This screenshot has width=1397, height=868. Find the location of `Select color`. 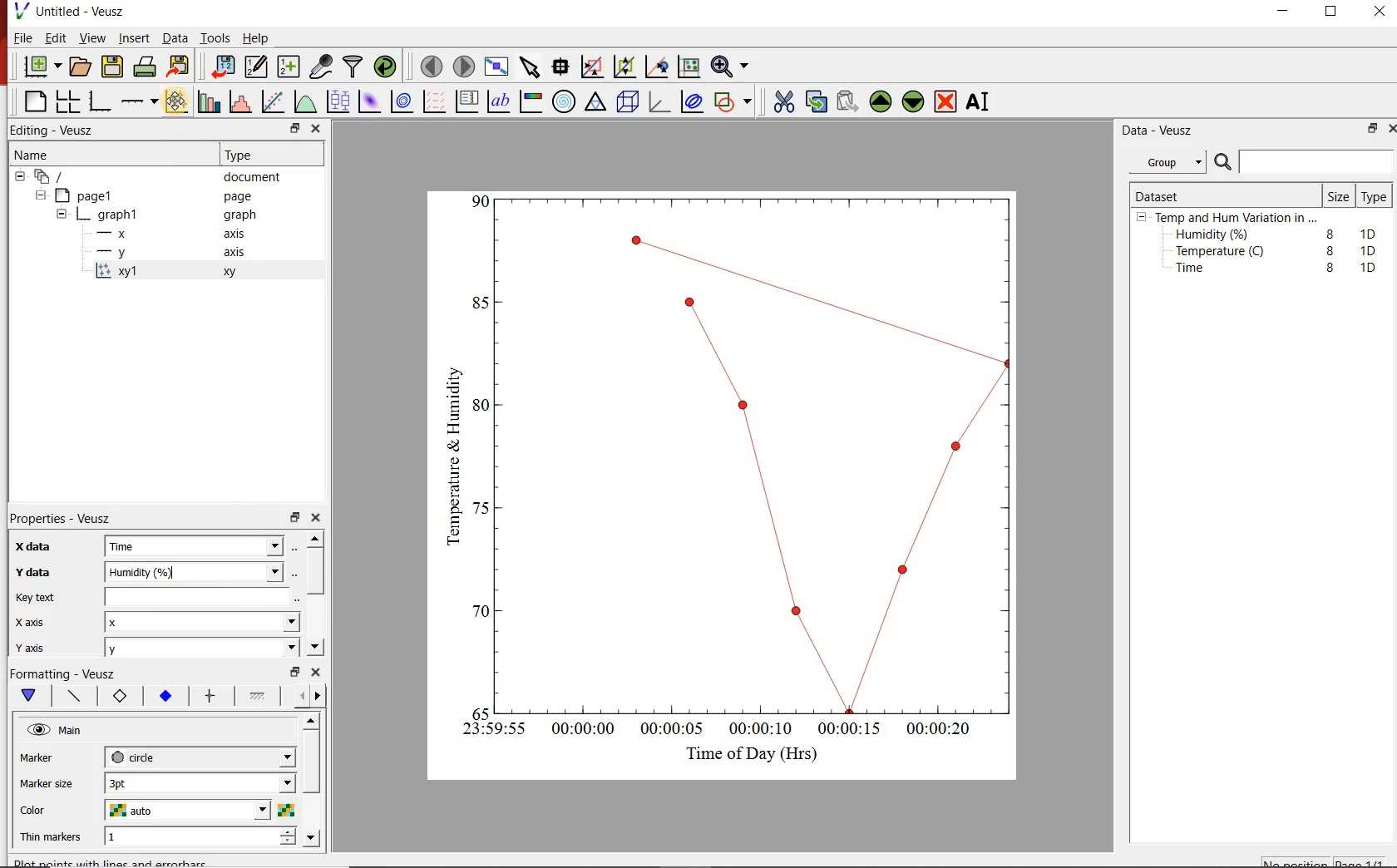

Select color is located at coordinates (287, 811).